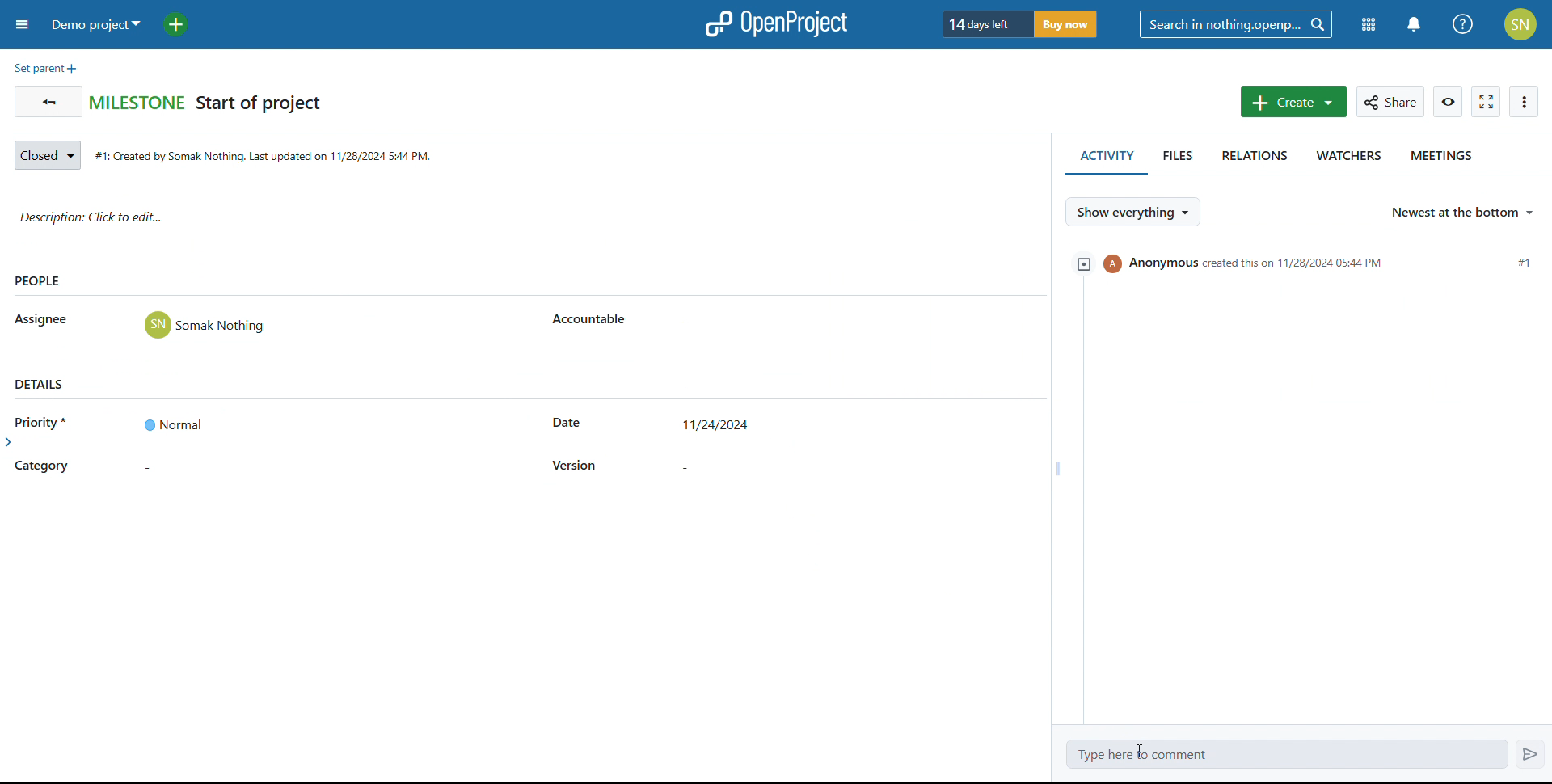 This screenshot has width=1552, height=784. What do you see at coordinates (205, 325) in the screenshot?
I see `user` at bounding box center [205, 325].